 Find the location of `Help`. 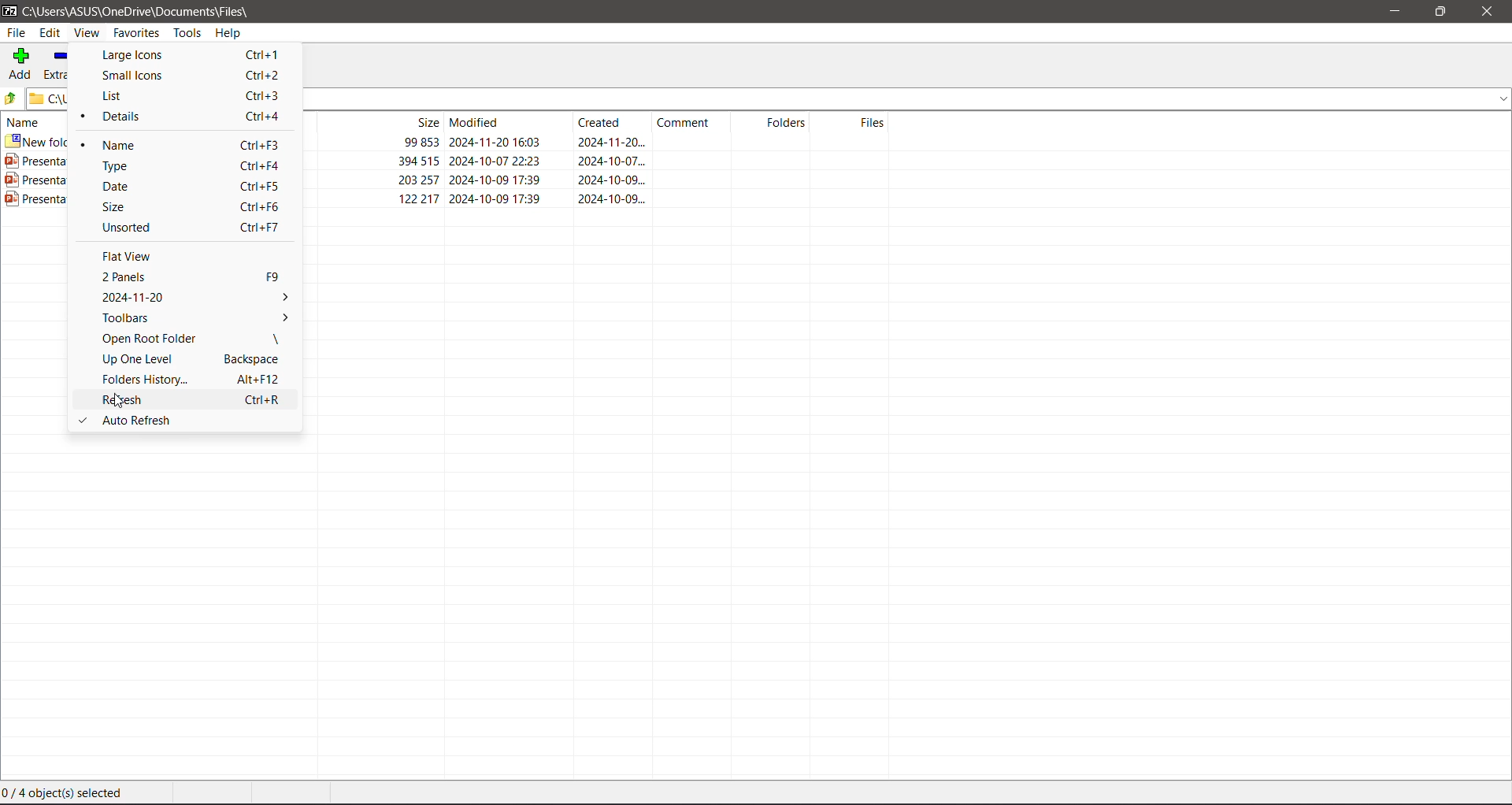

Help is located at coordinates (229, 32).